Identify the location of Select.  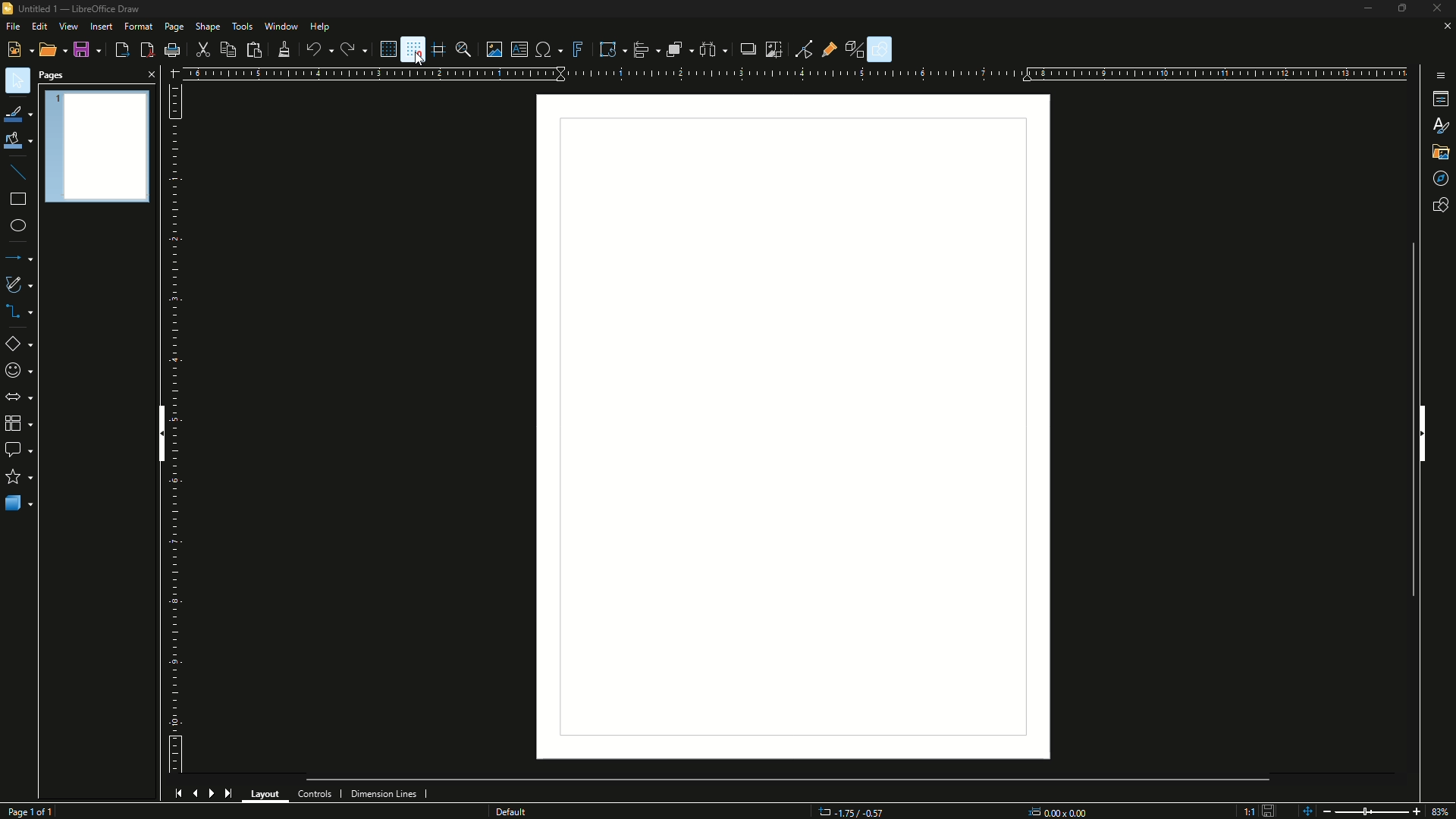
(17, 80).